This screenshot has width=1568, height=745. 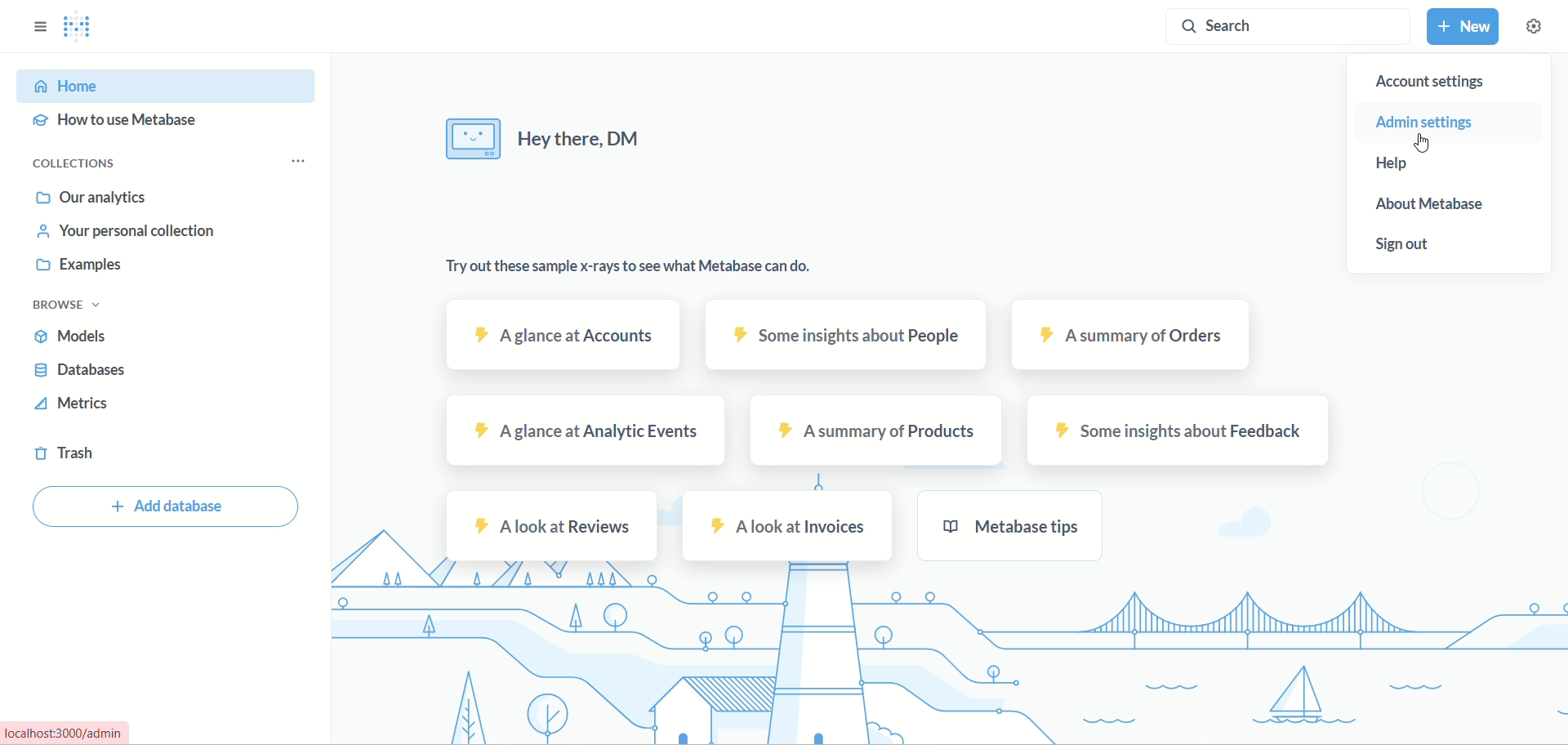 What do you see at coordinates (1462, 27) in the screenshot?
I see `new` at bounding box center [1462, 27].